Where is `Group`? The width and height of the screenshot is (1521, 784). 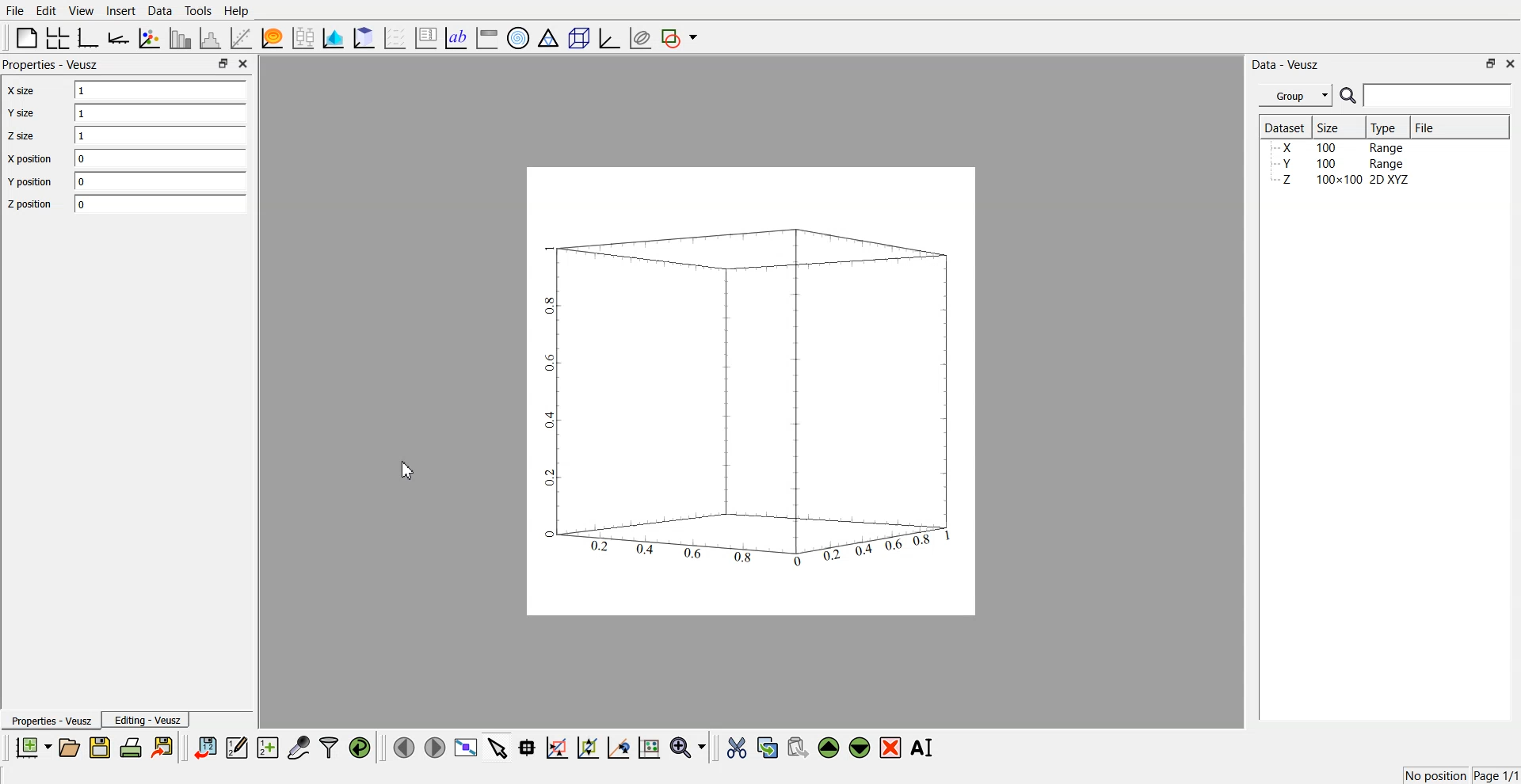 Group is located at coordinates (1296, 96).